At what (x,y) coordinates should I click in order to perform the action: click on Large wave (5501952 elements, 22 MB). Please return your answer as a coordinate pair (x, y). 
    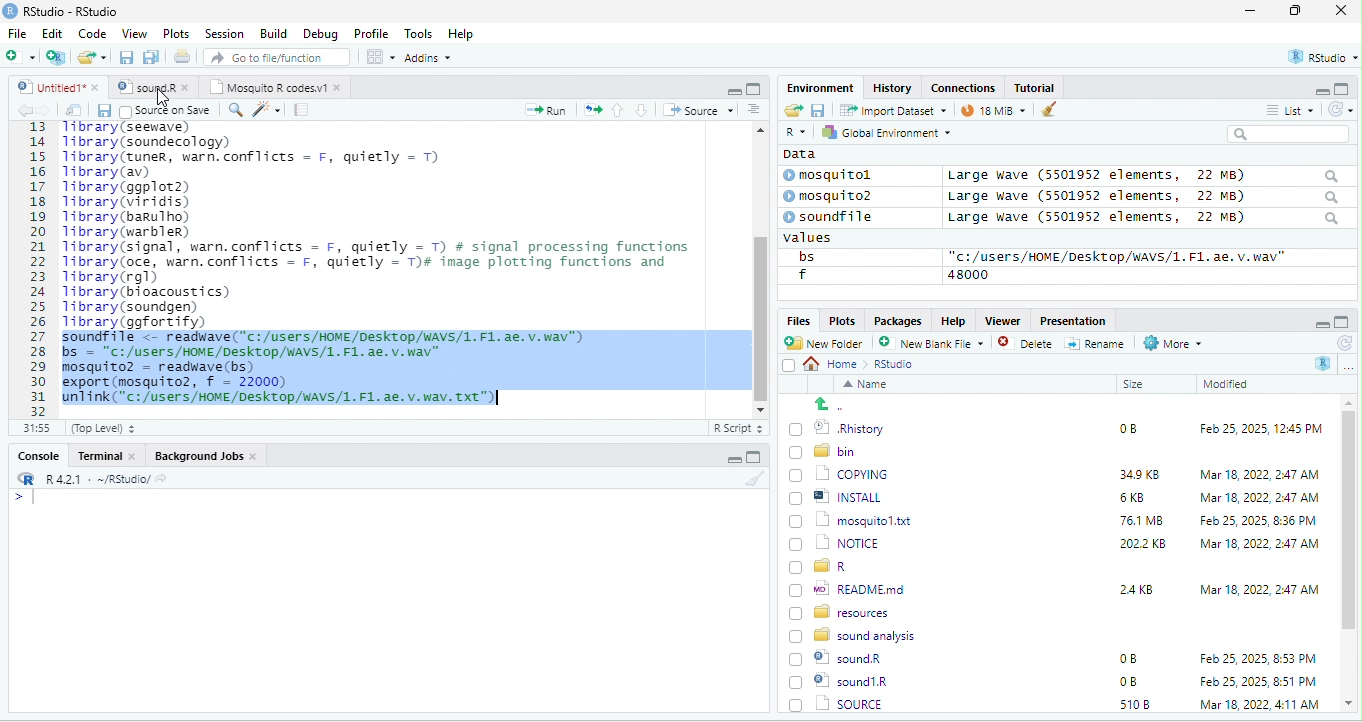
    Looking at the image, I should click on (1144, 219).